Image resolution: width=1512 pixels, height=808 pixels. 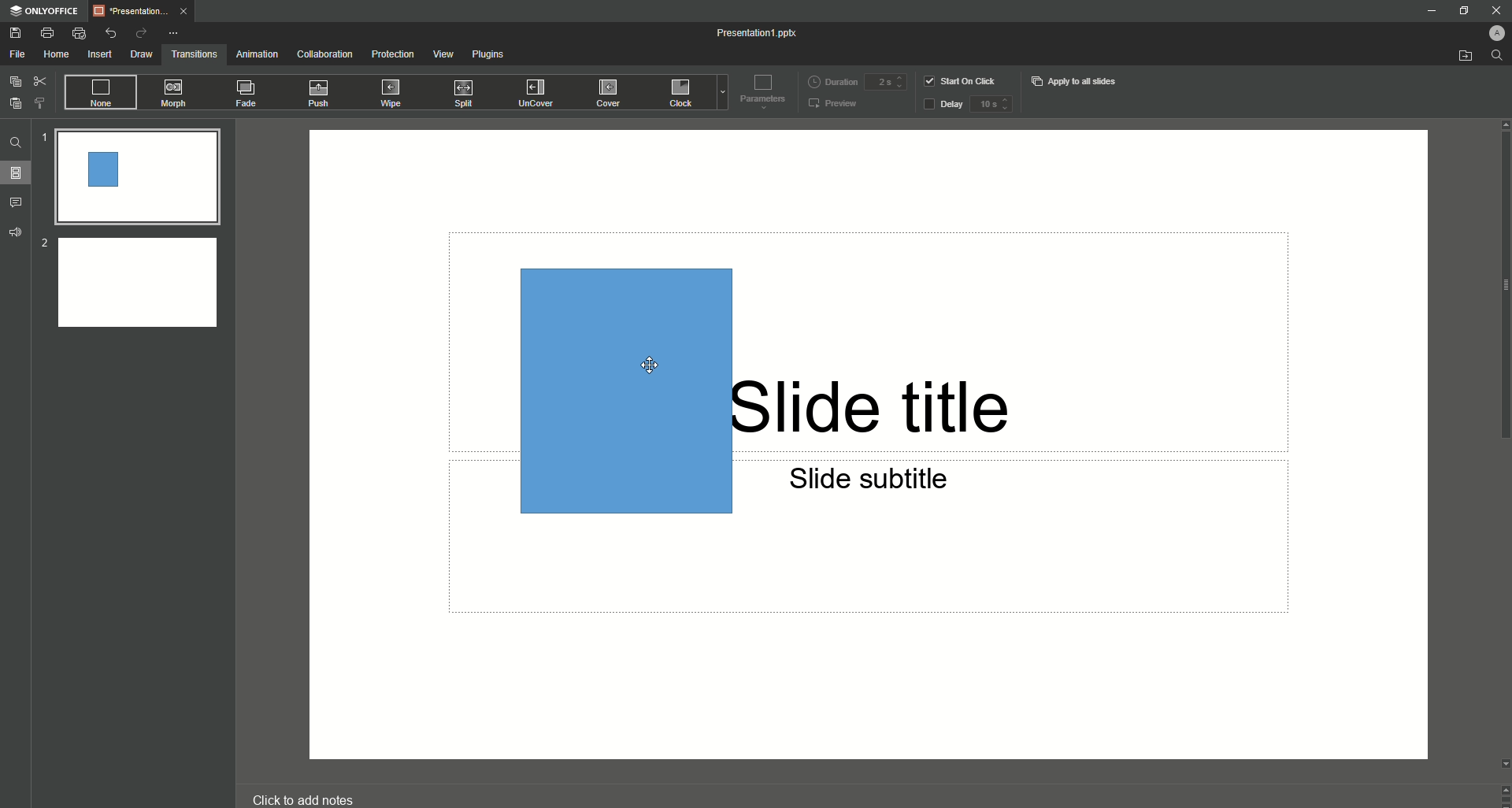 I want to click on Choose Style, so click(x=43, y=103).